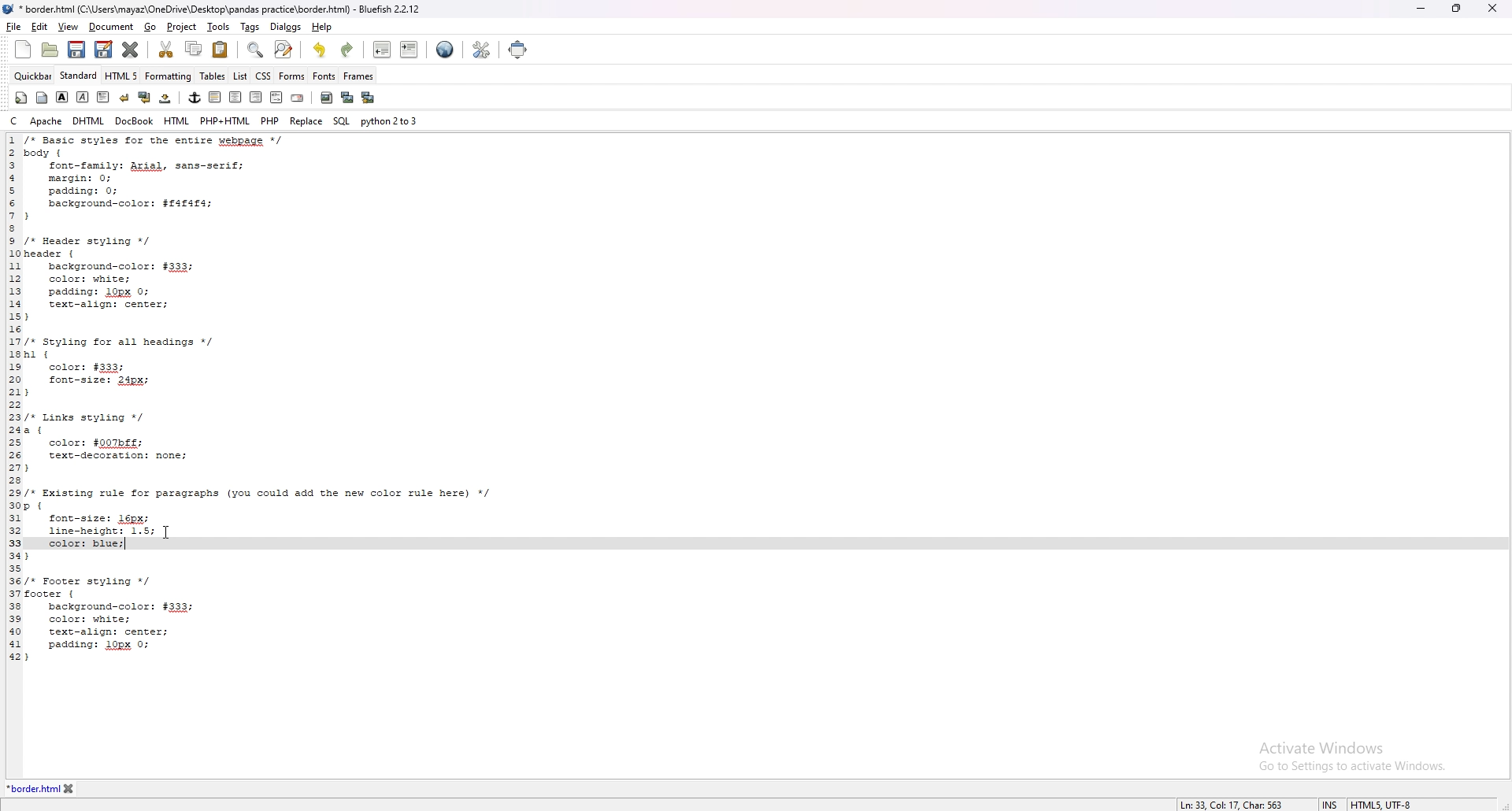 The height and width of the screenshot is (811, 1512). What do you see at coordinates (102, 96) in the screenshot?
I see `paragraph` at bounding box center [102, 96].